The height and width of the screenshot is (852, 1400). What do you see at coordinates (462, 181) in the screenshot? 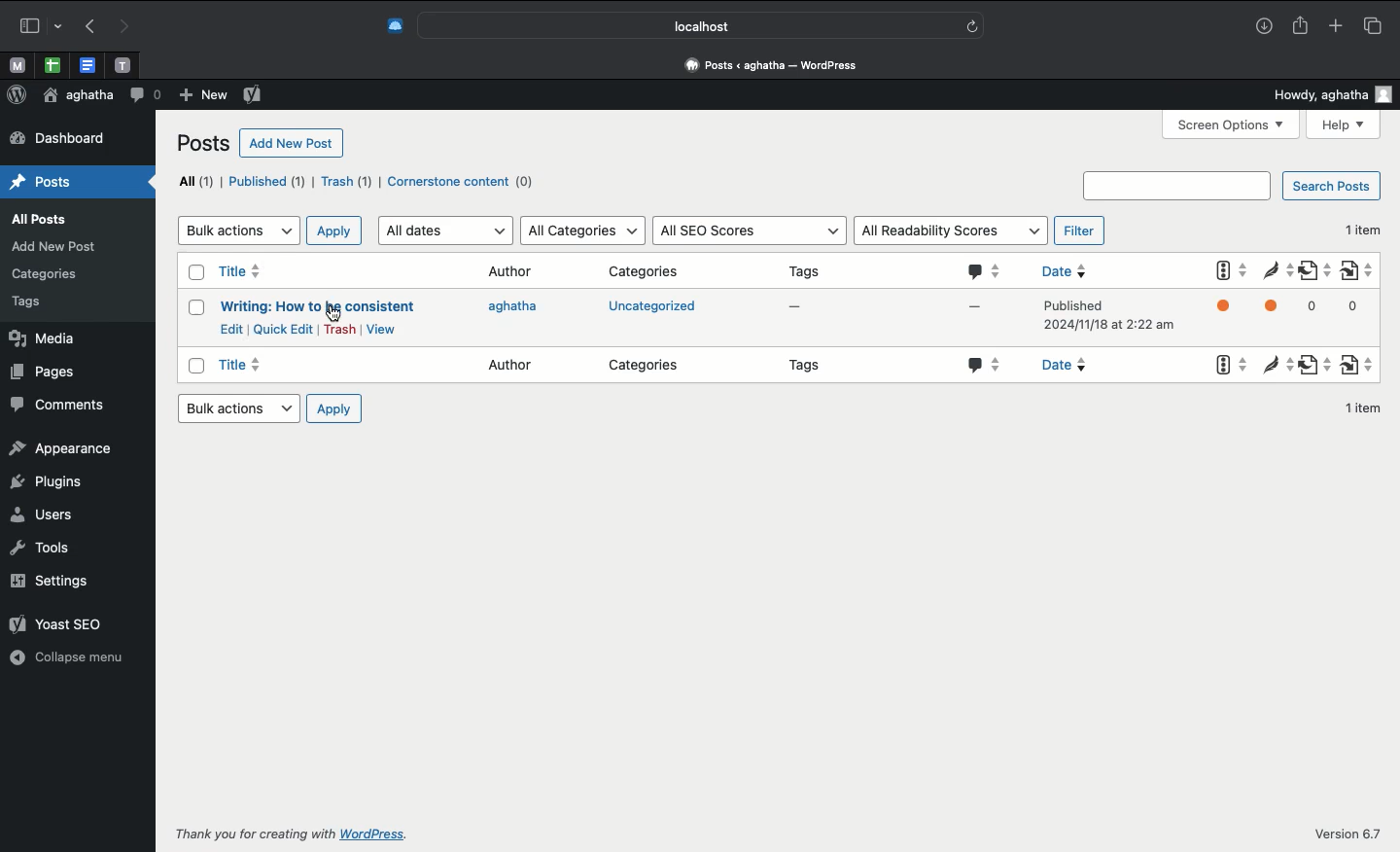
I see `Cornerstone content (0)` at bounding box center [462, 181].